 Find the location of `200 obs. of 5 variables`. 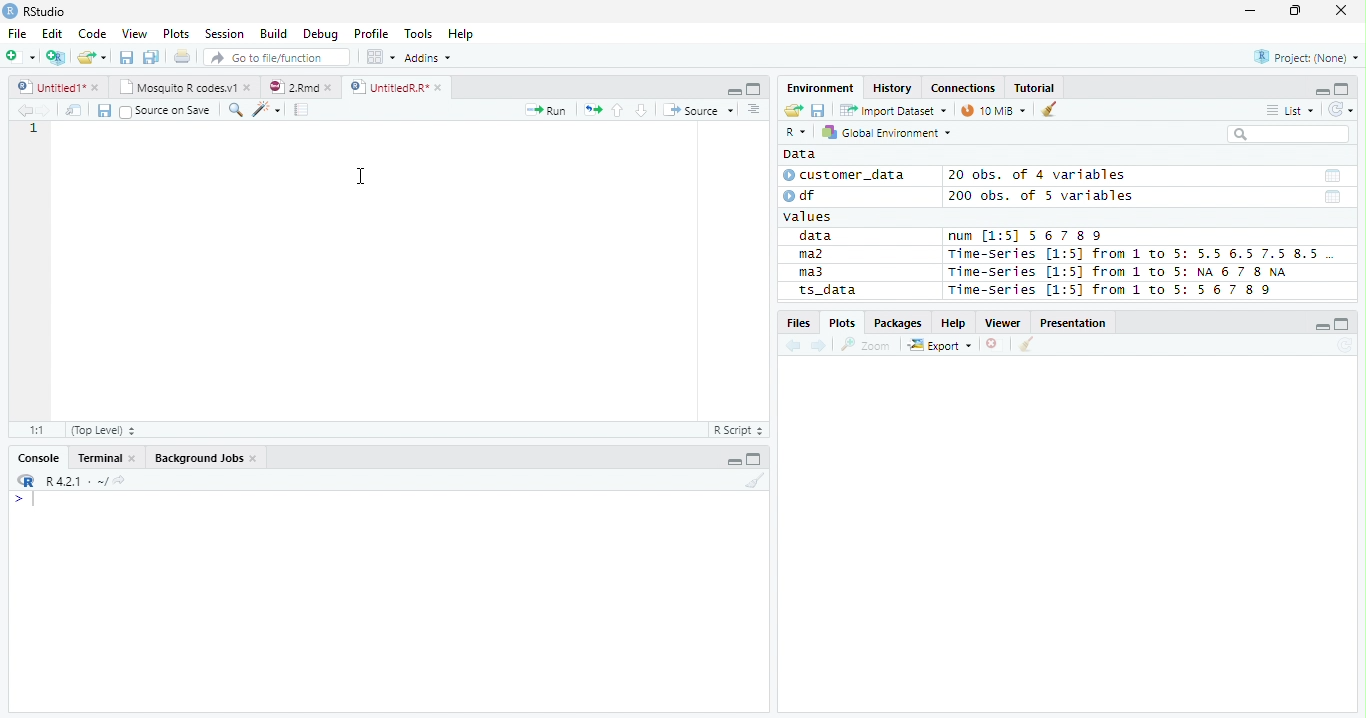

200 obs. of 5 variables is located at coordinates (1038, 198).